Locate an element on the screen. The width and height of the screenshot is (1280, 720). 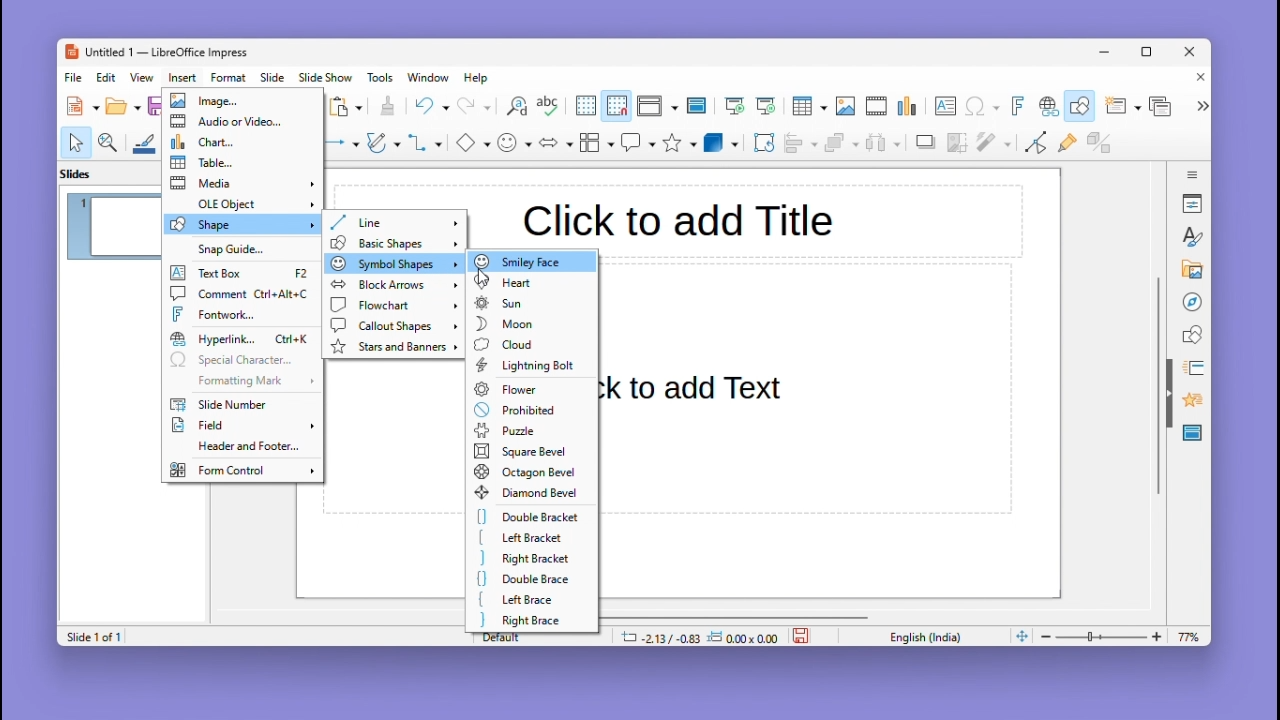
Textbox is located at coordinates (242, 274).